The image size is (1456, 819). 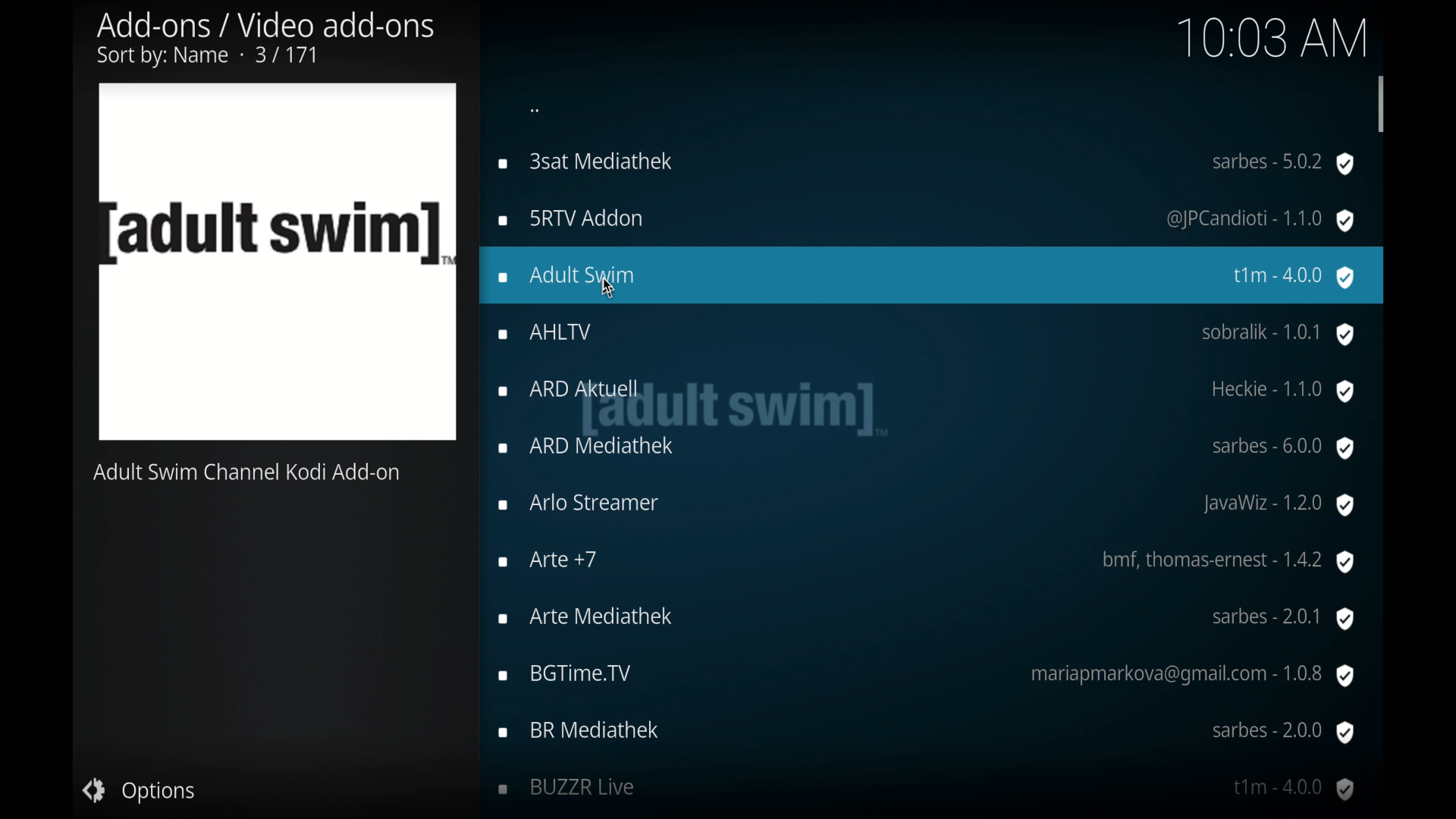 What do you see at coordinates (925, 391) in the screenshot?
I see `ard` at bounding box center [925, 391].